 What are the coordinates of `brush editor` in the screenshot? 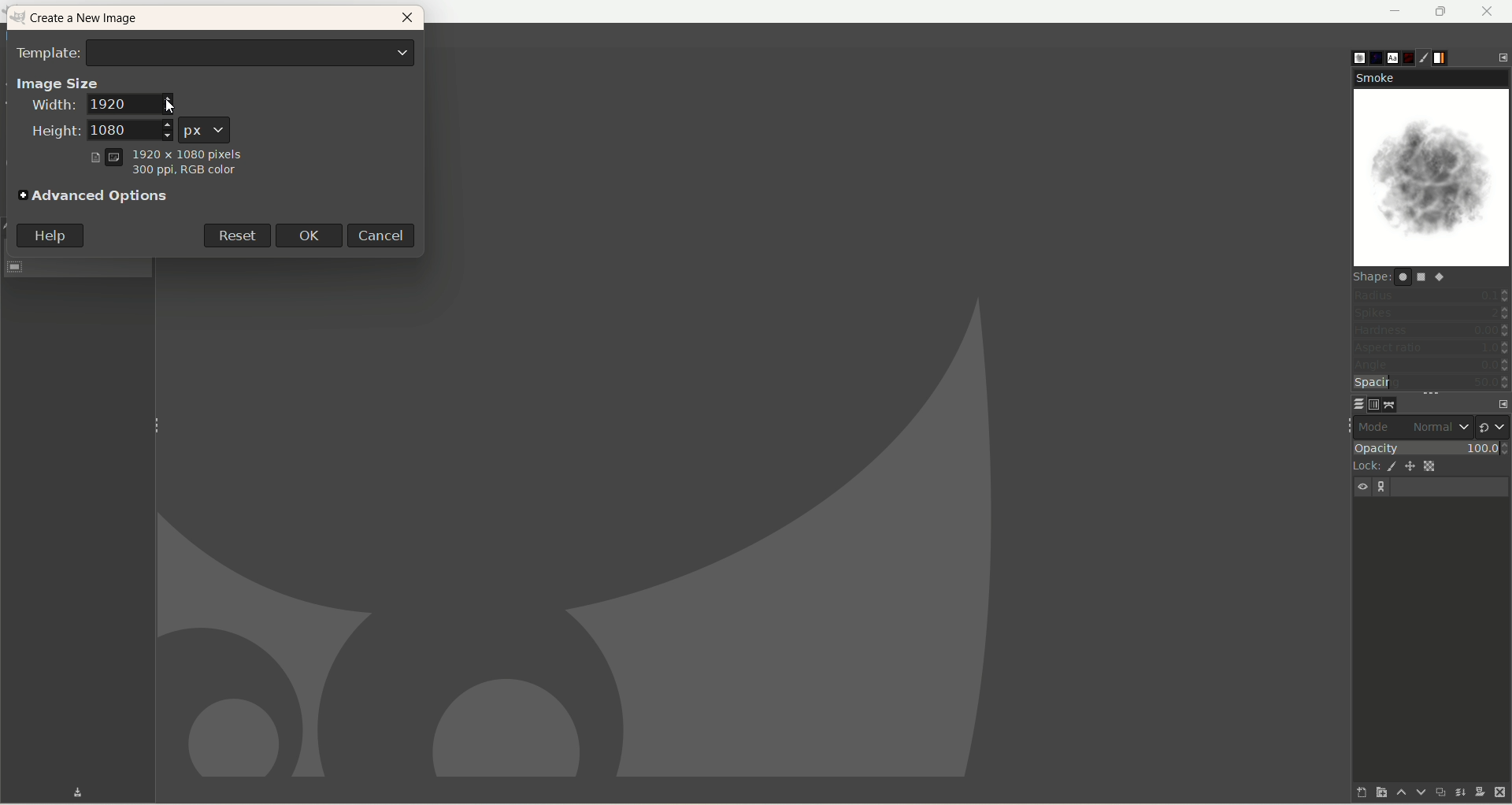 It's located at (1431, 58).